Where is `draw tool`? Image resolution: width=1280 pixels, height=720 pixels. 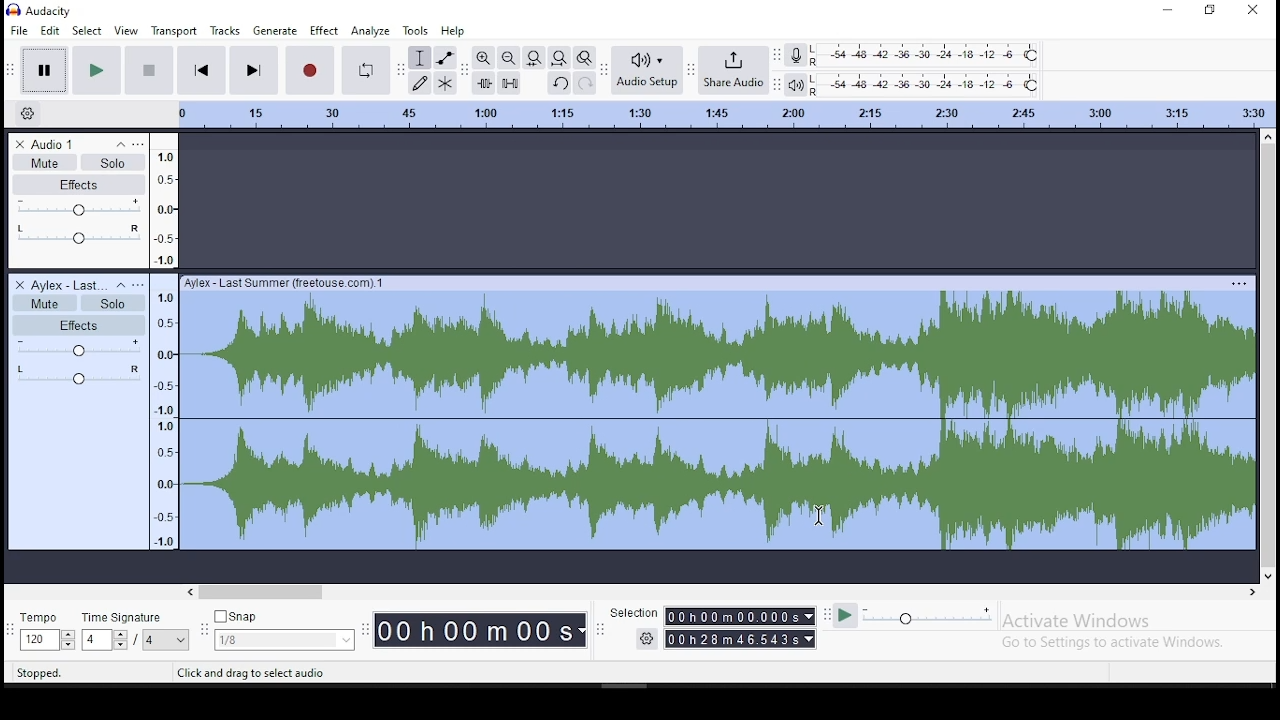
draw tool is located at coordinates (419, 82).